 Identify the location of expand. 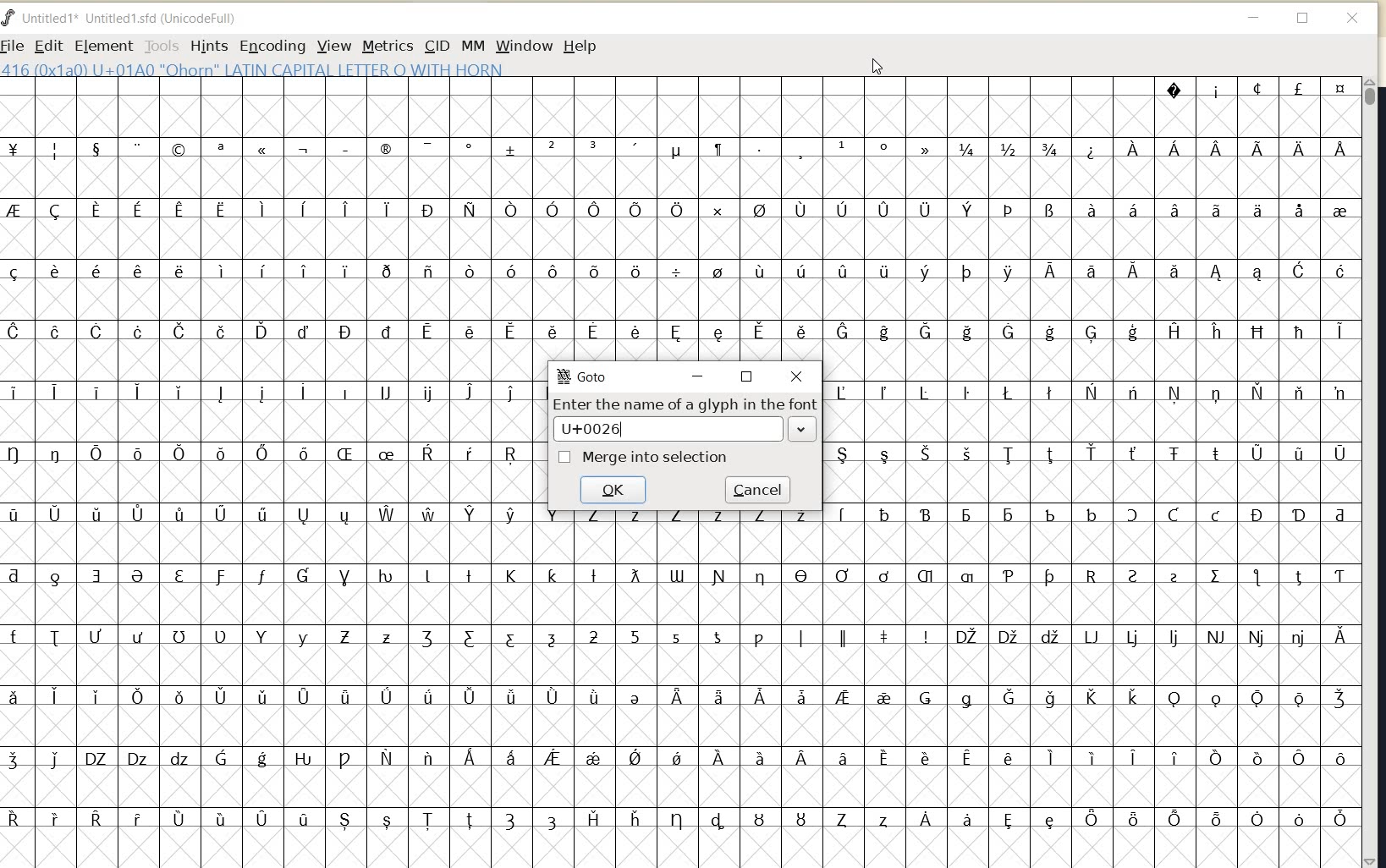
(804, 431).